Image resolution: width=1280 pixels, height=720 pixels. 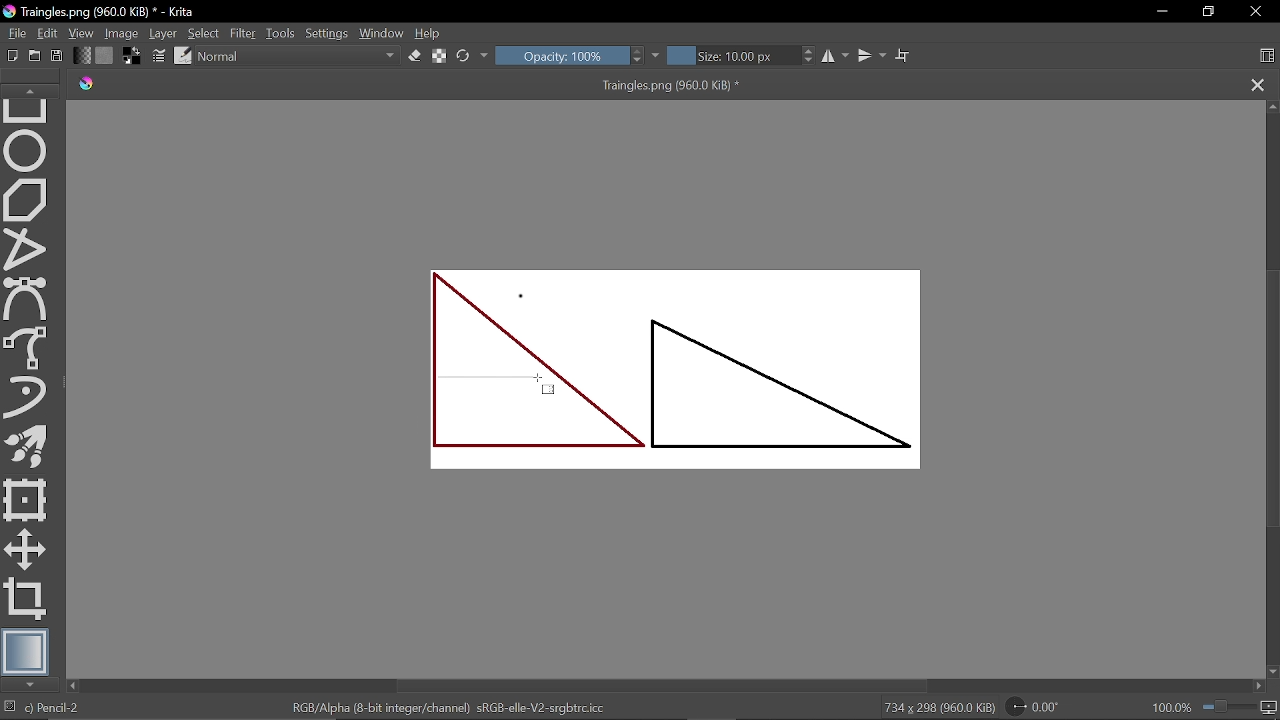 I want to click on Transform a layer tool, so click(x=26, y=500).